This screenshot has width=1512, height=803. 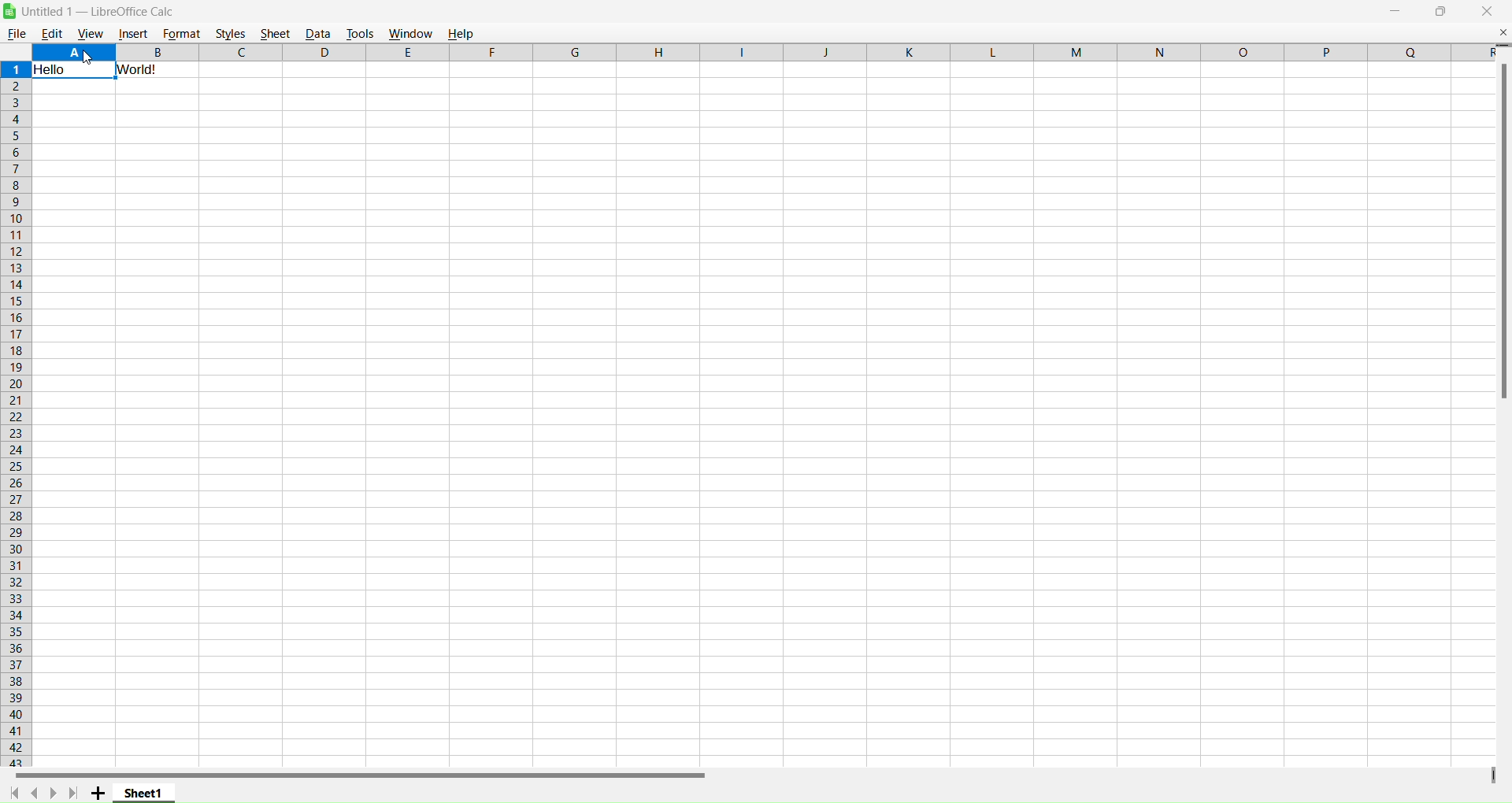 What do you see at coordinates (274, 33) in the screenshot?
I see `Sheet` at bounding box center [274, 33].